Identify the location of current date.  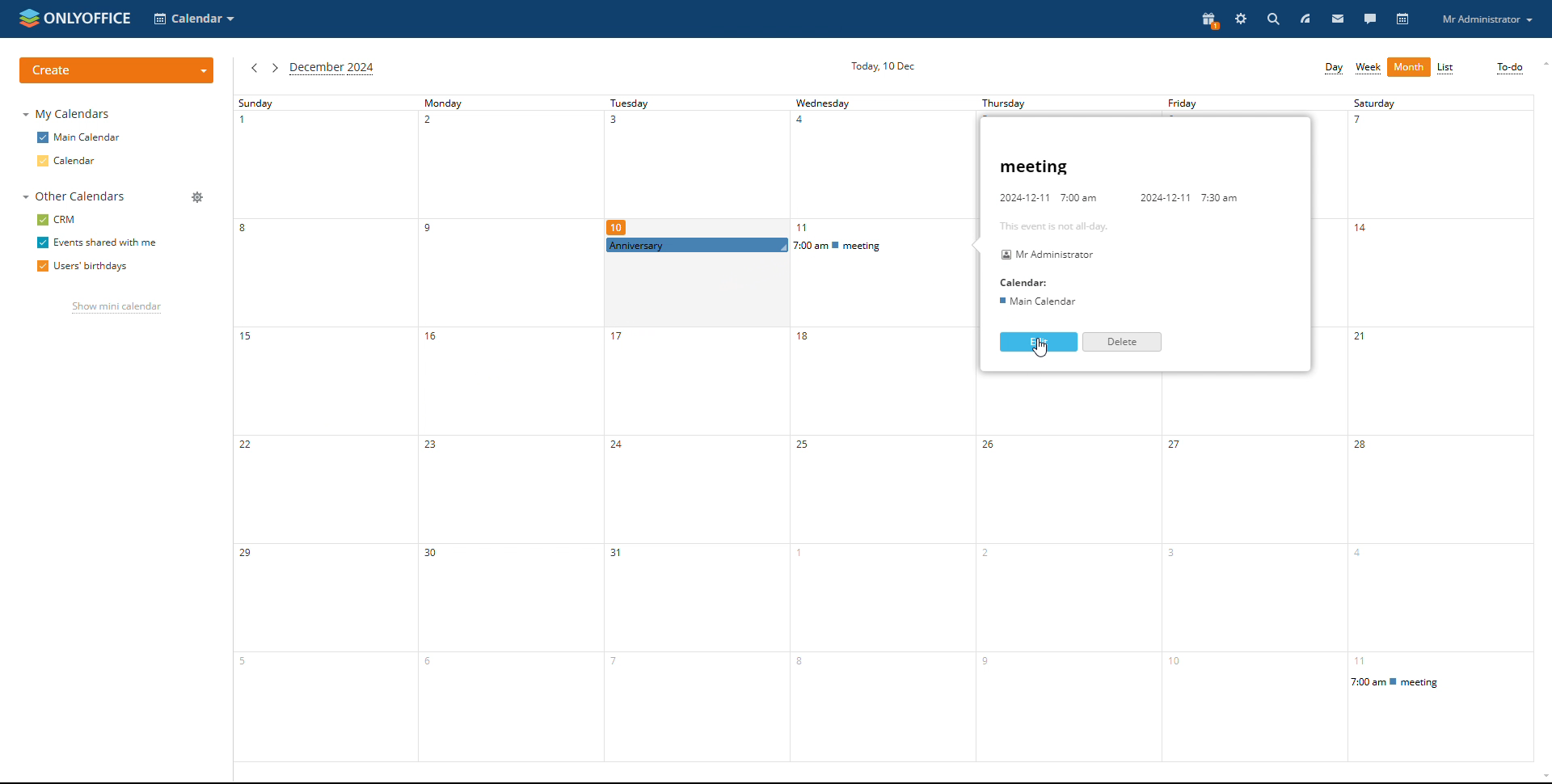
(882, 65).